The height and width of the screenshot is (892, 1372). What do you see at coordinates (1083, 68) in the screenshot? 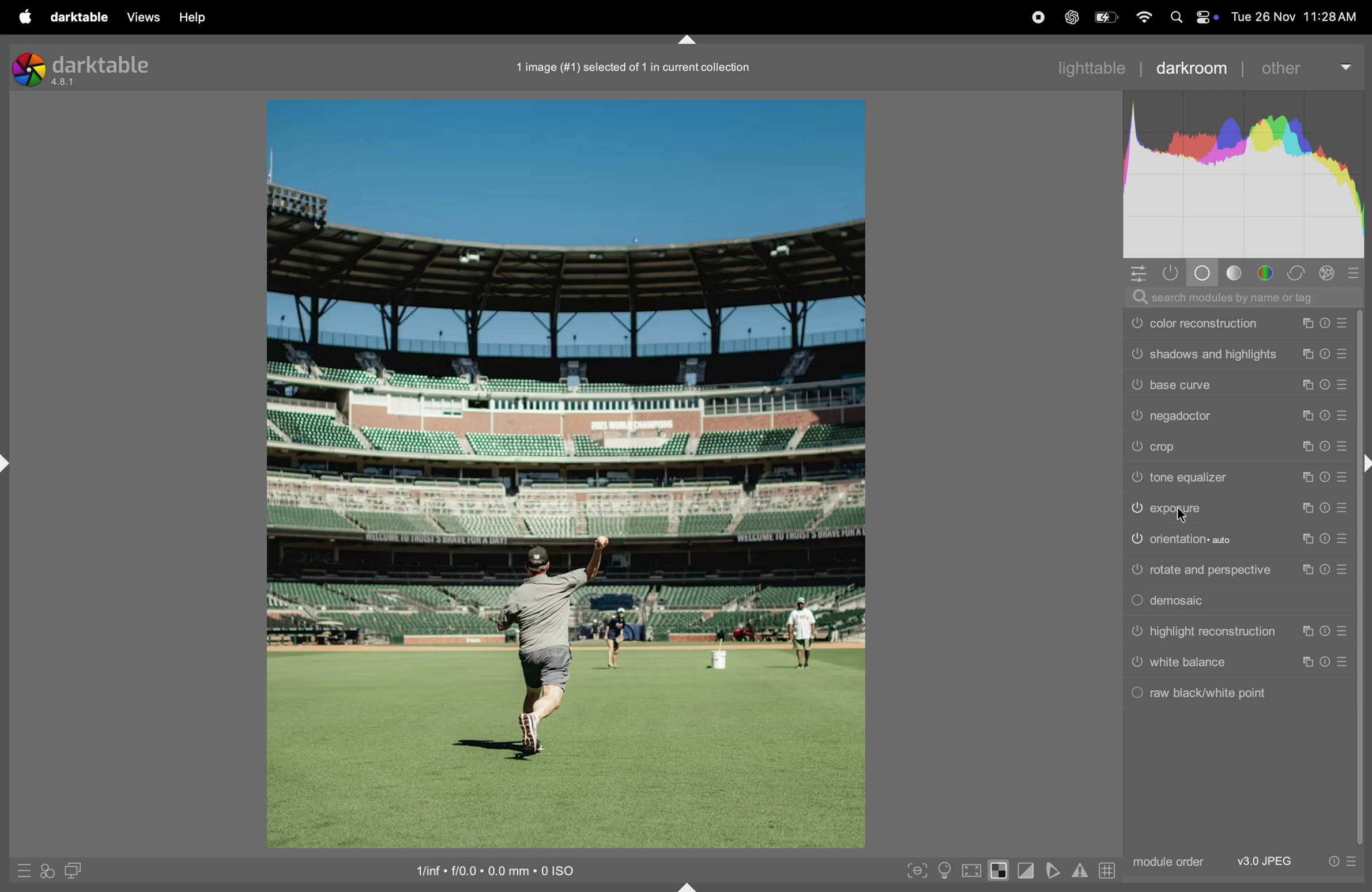
I see `lightable` at bounding box center [1083, 68].